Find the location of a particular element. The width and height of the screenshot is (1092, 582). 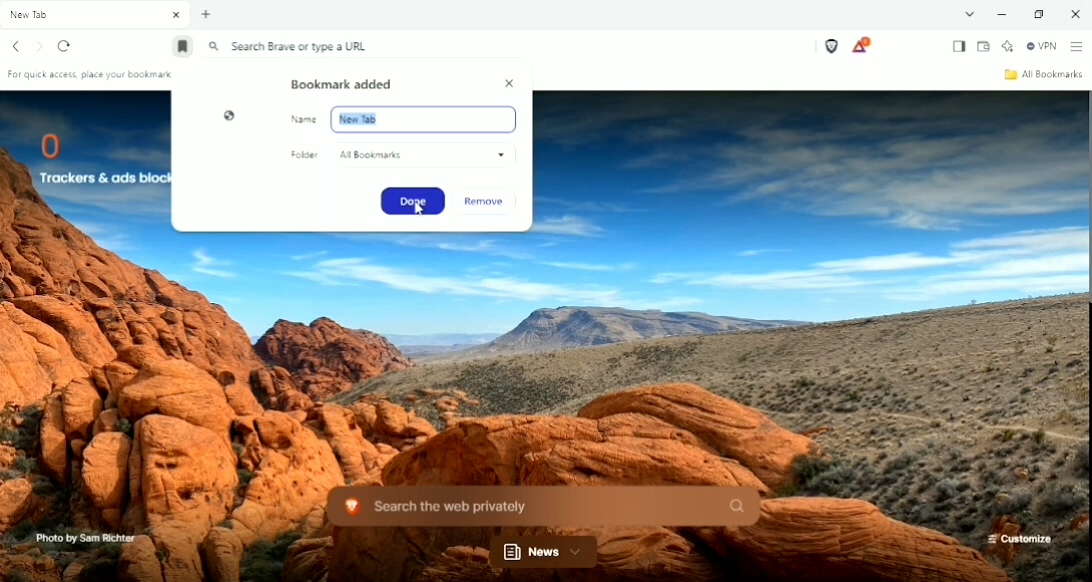

New Tab is located at coordinates (96, 15).